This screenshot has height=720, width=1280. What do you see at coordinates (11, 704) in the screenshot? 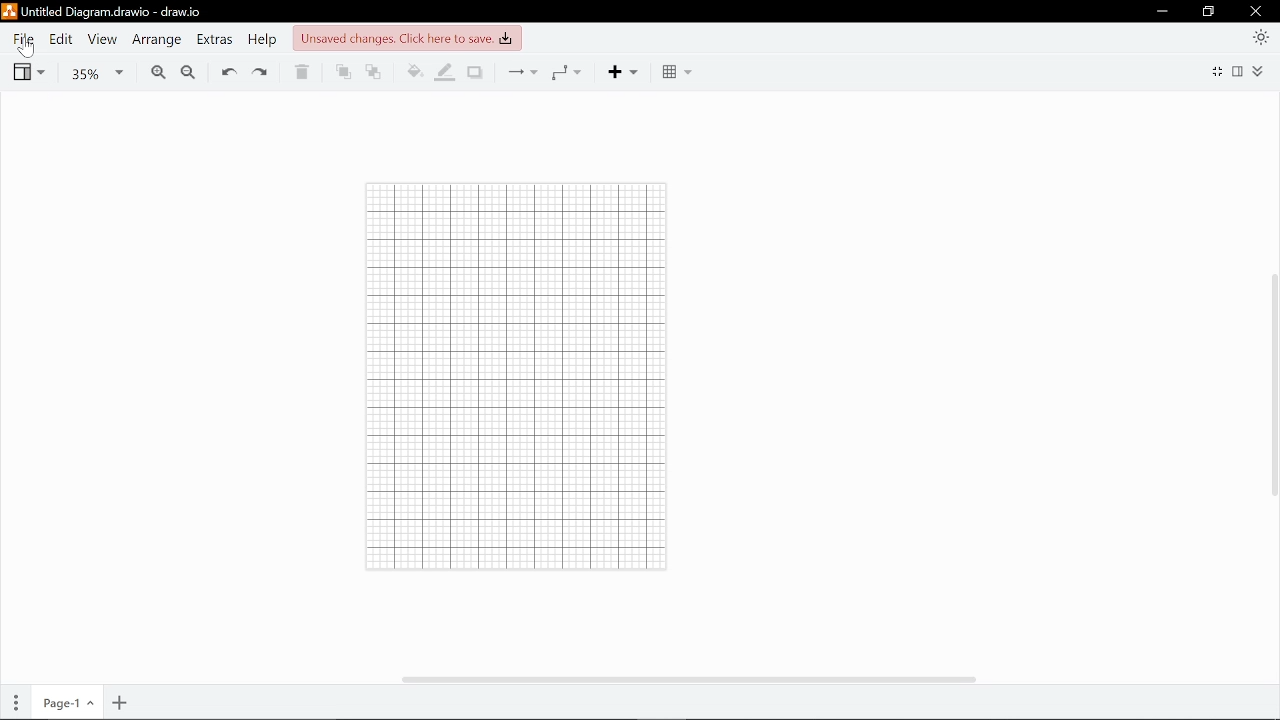
I see `pages` at bounding box center [11, 704].